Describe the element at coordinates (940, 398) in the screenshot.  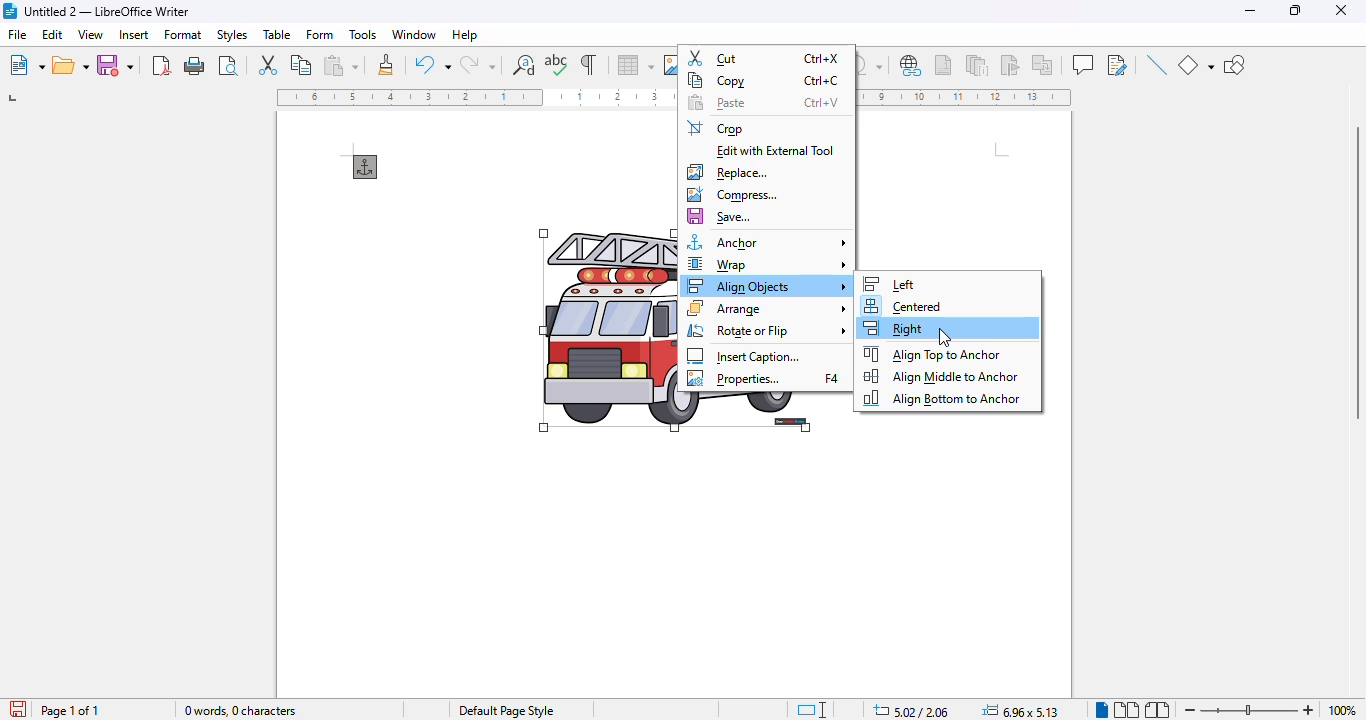
I see `align bottom to anchor` at that location.